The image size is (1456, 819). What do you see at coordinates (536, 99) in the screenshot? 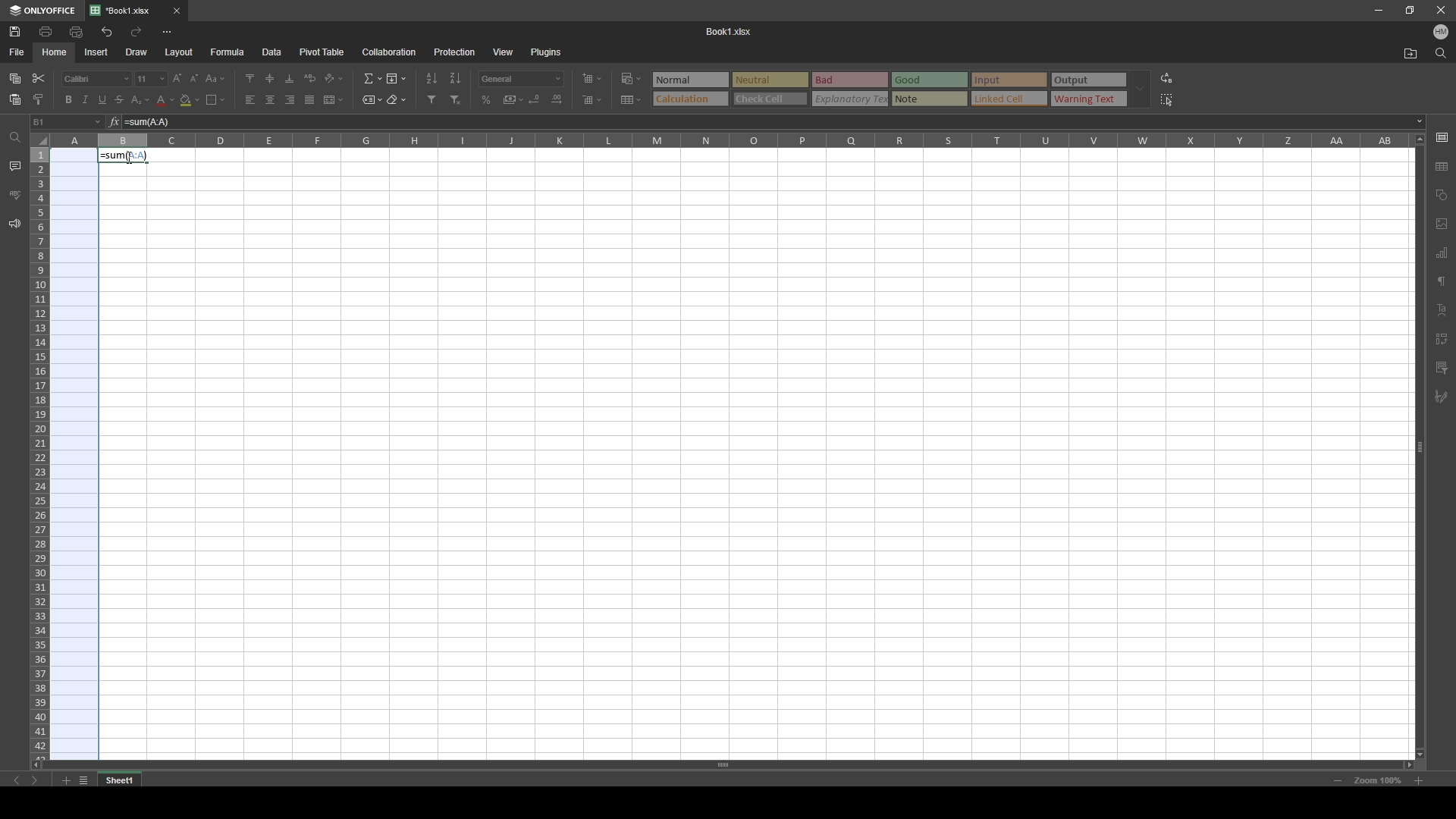
I see `decrease decimal` at bounding box center [536, 99].